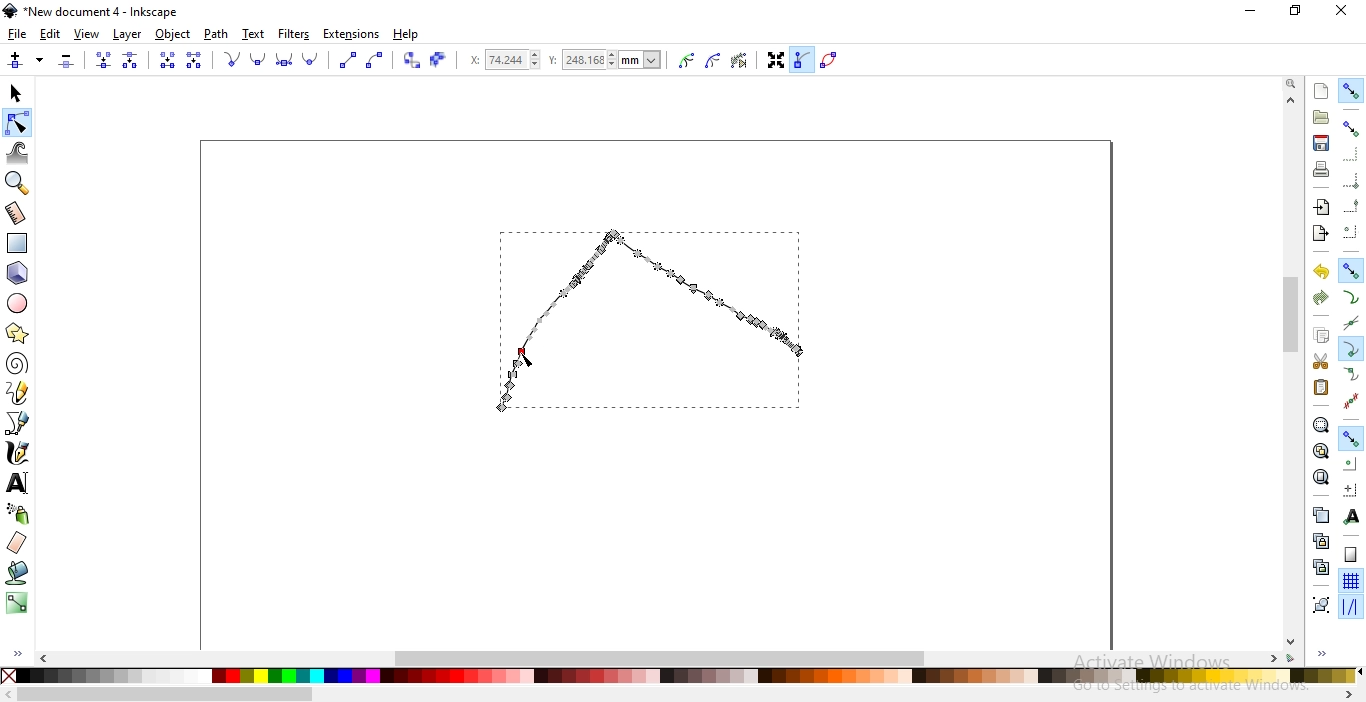  What do you see at coordinates (715, 61) in the screenshot?
I see `show masks of selected objects` at bounding box center [715, 61].